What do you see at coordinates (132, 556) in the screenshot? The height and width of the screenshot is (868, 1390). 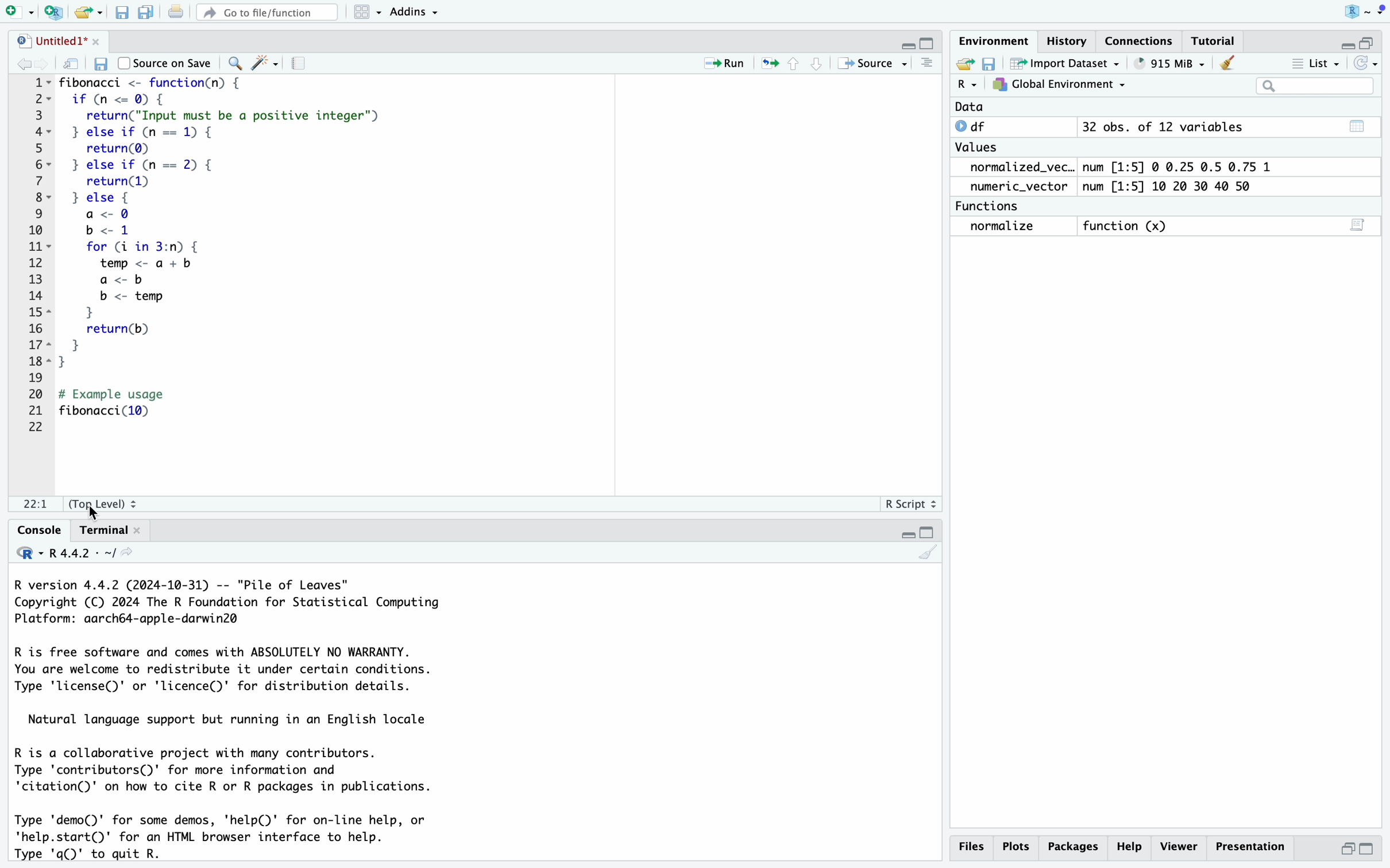 I see `view the current working directory` at bounding box center [132, 556].